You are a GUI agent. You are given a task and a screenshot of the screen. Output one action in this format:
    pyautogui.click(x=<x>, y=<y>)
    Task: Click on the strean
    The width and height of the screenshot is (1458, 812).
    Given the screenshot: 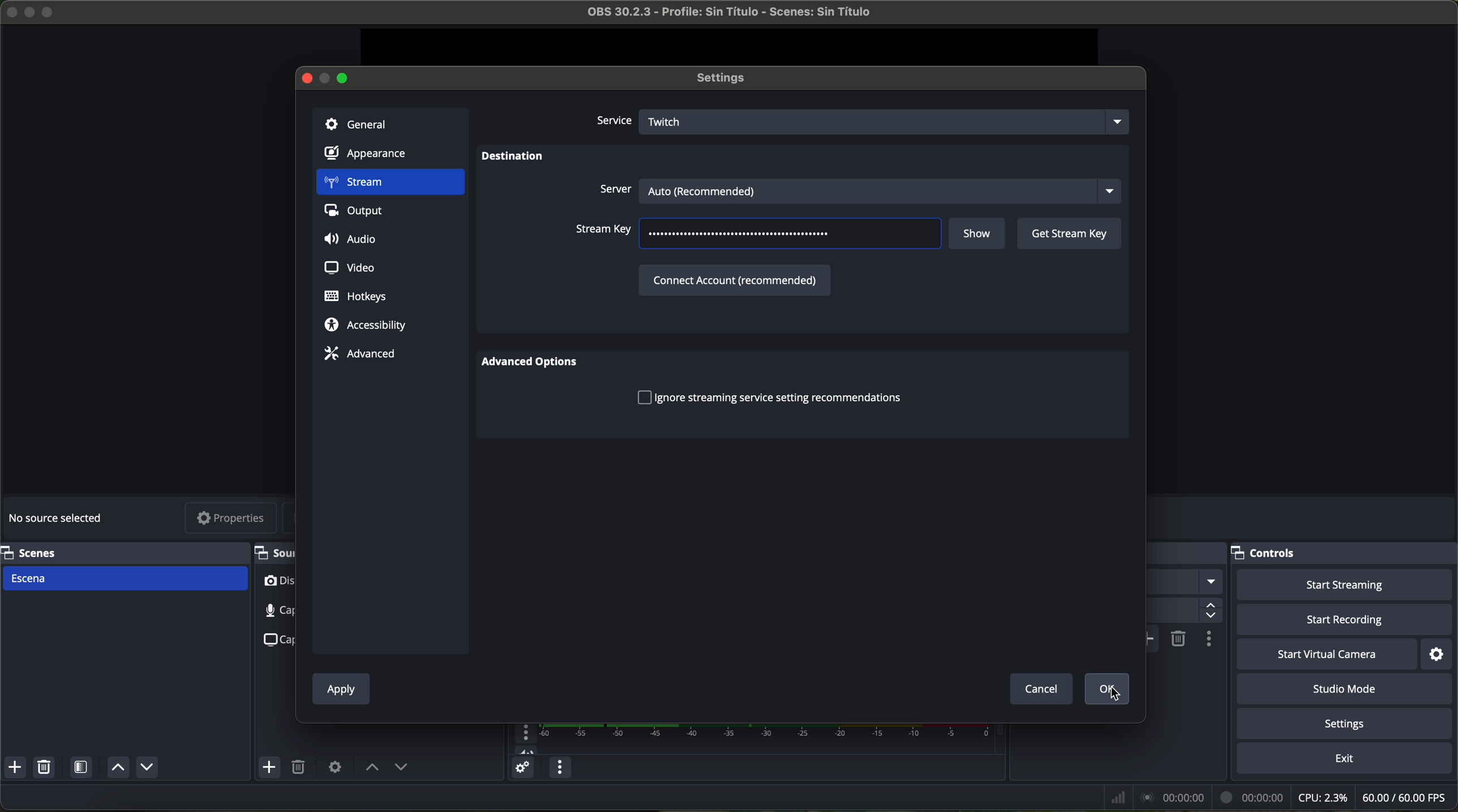 What is the action you would take?
    pyautogui.click(x=389, y=183)
    